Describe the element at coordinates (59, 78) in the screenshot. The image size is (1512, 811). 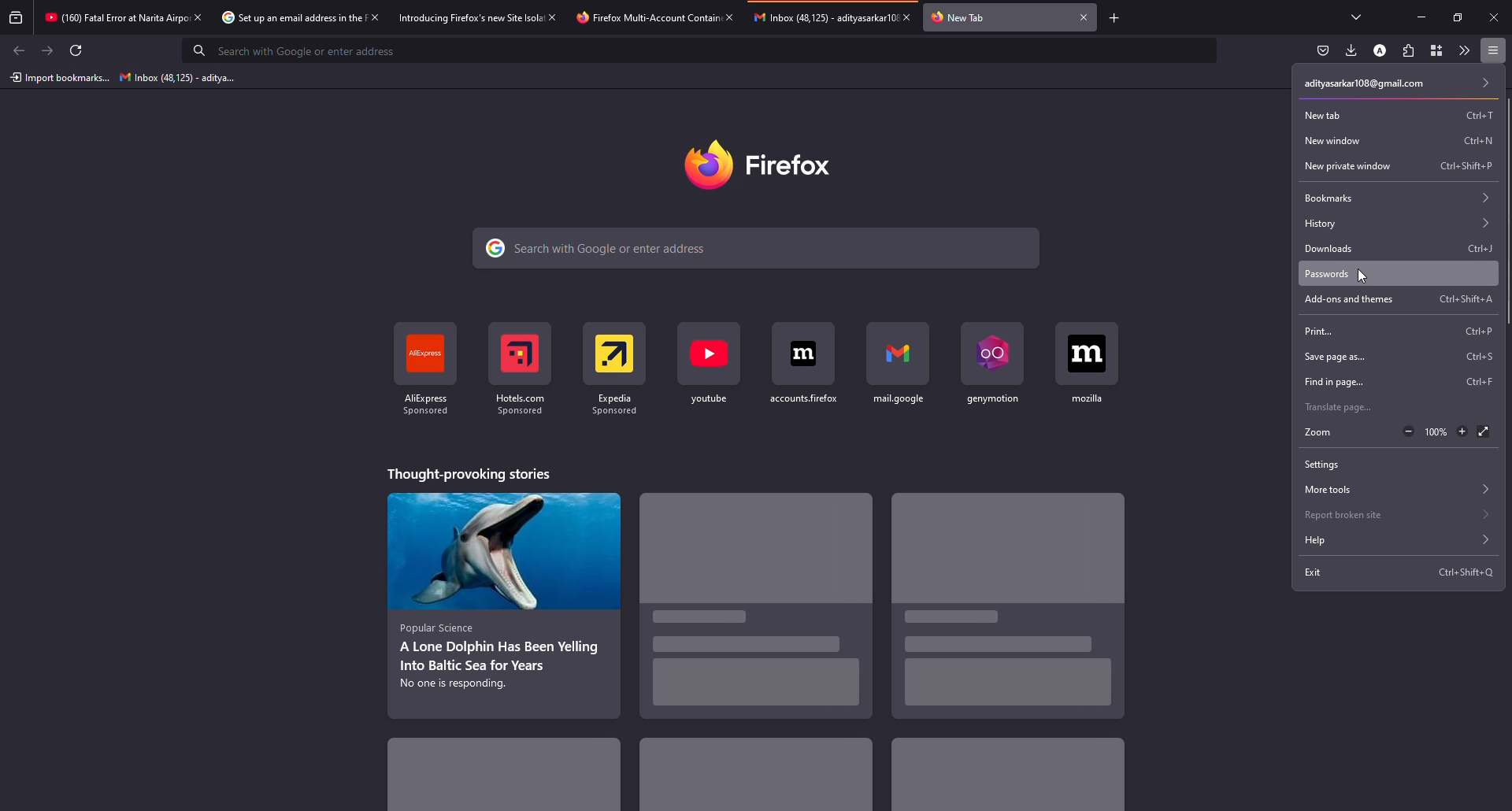
I see `import bookmarks` at that location.